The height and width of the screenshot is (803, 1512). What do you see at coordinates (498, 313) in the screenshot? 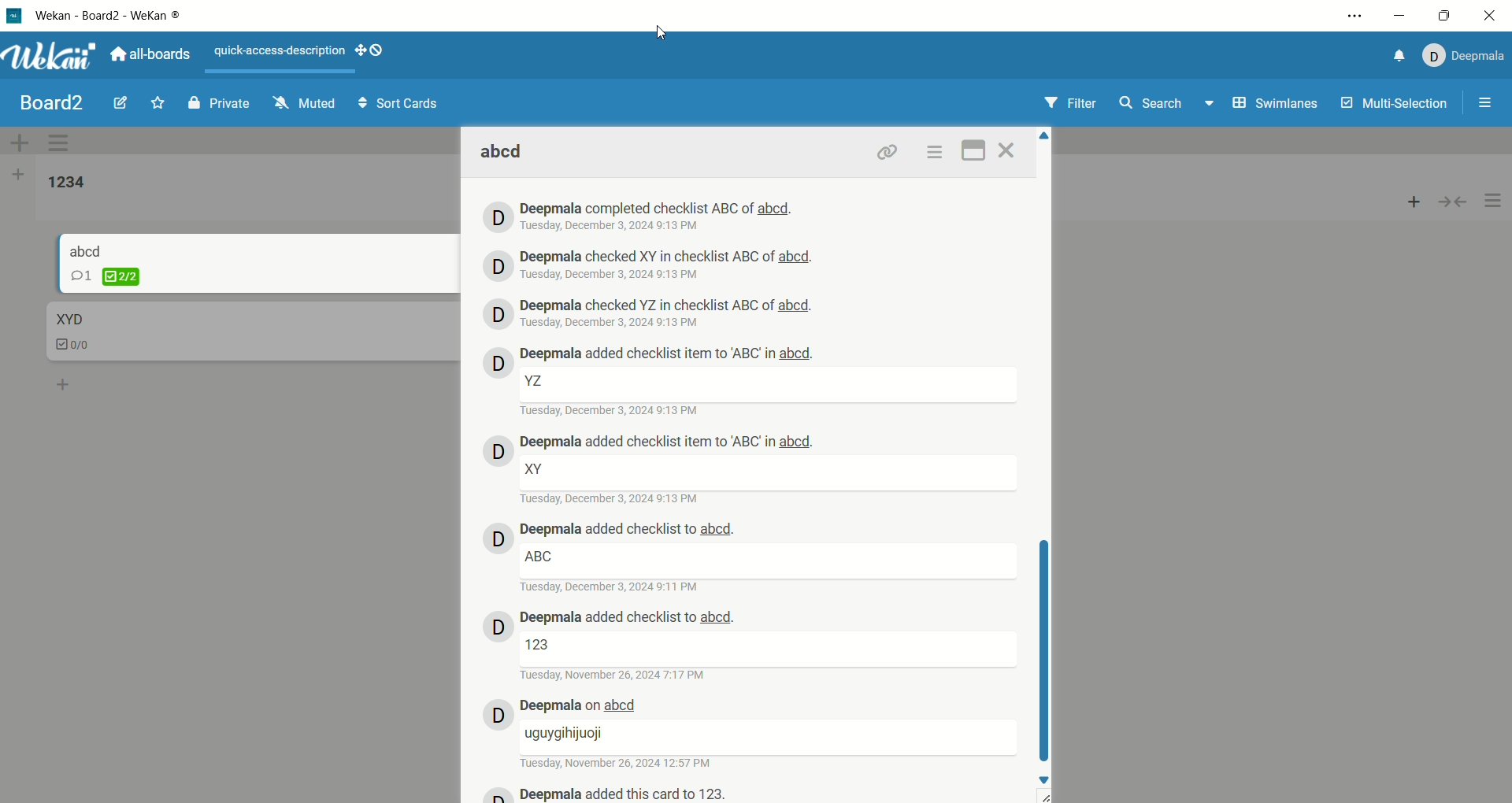
I see `avatar` at bounding box center [498, 313].